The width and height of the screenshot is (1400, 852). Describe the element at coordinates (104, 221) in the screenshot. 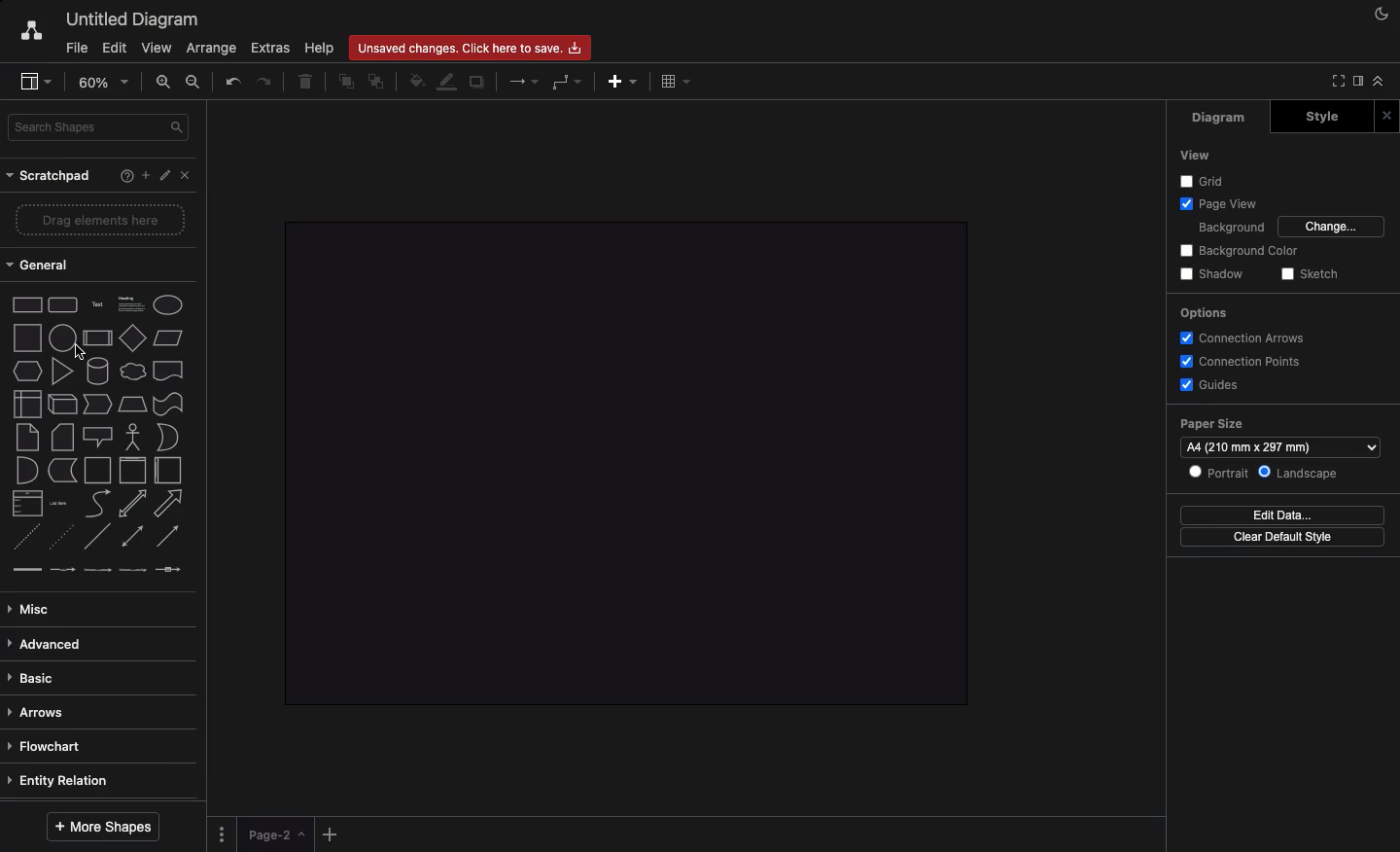

I see `Drag elements here` at that location.